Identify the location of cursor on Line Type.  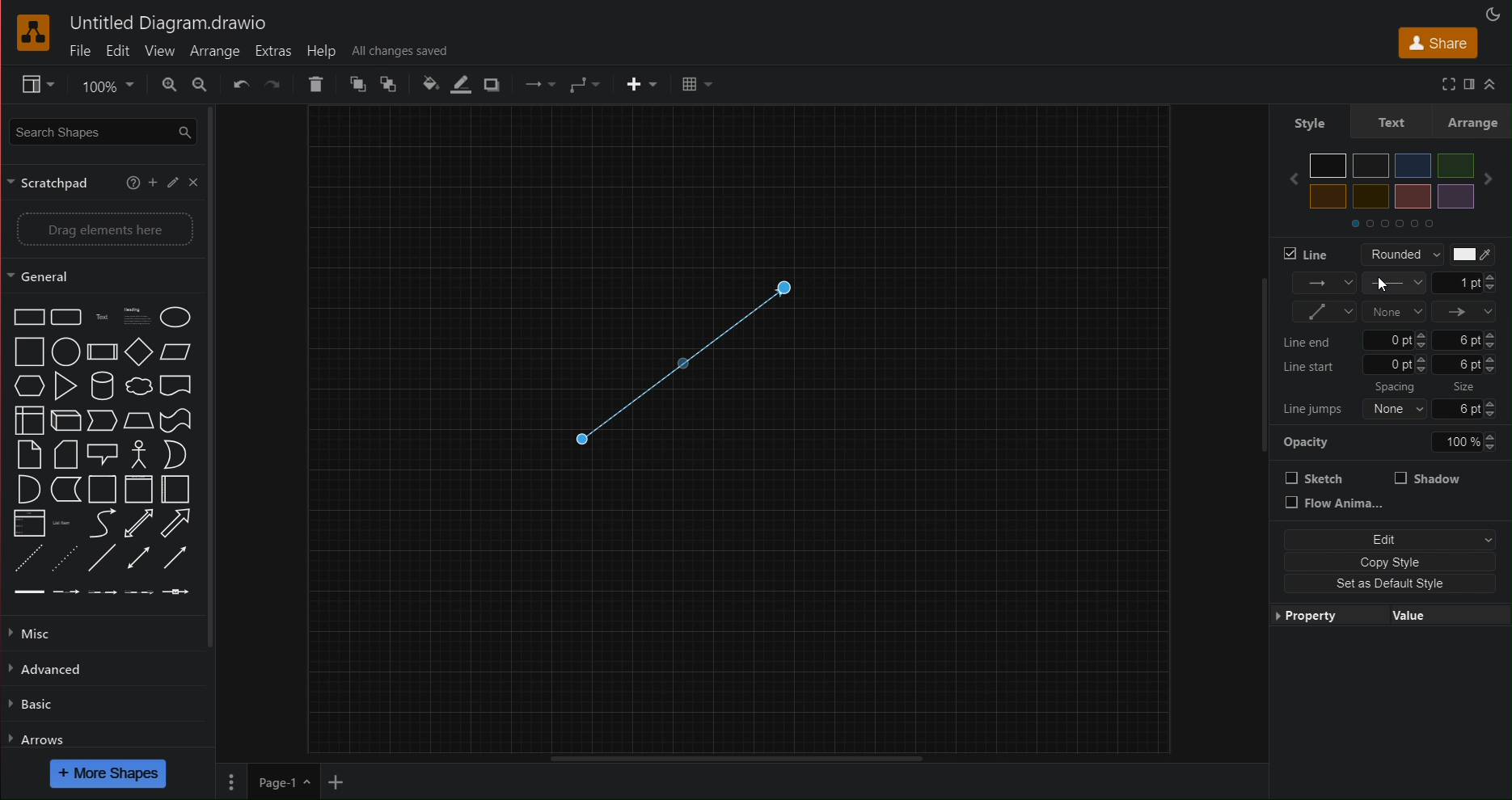
(1385, 285).